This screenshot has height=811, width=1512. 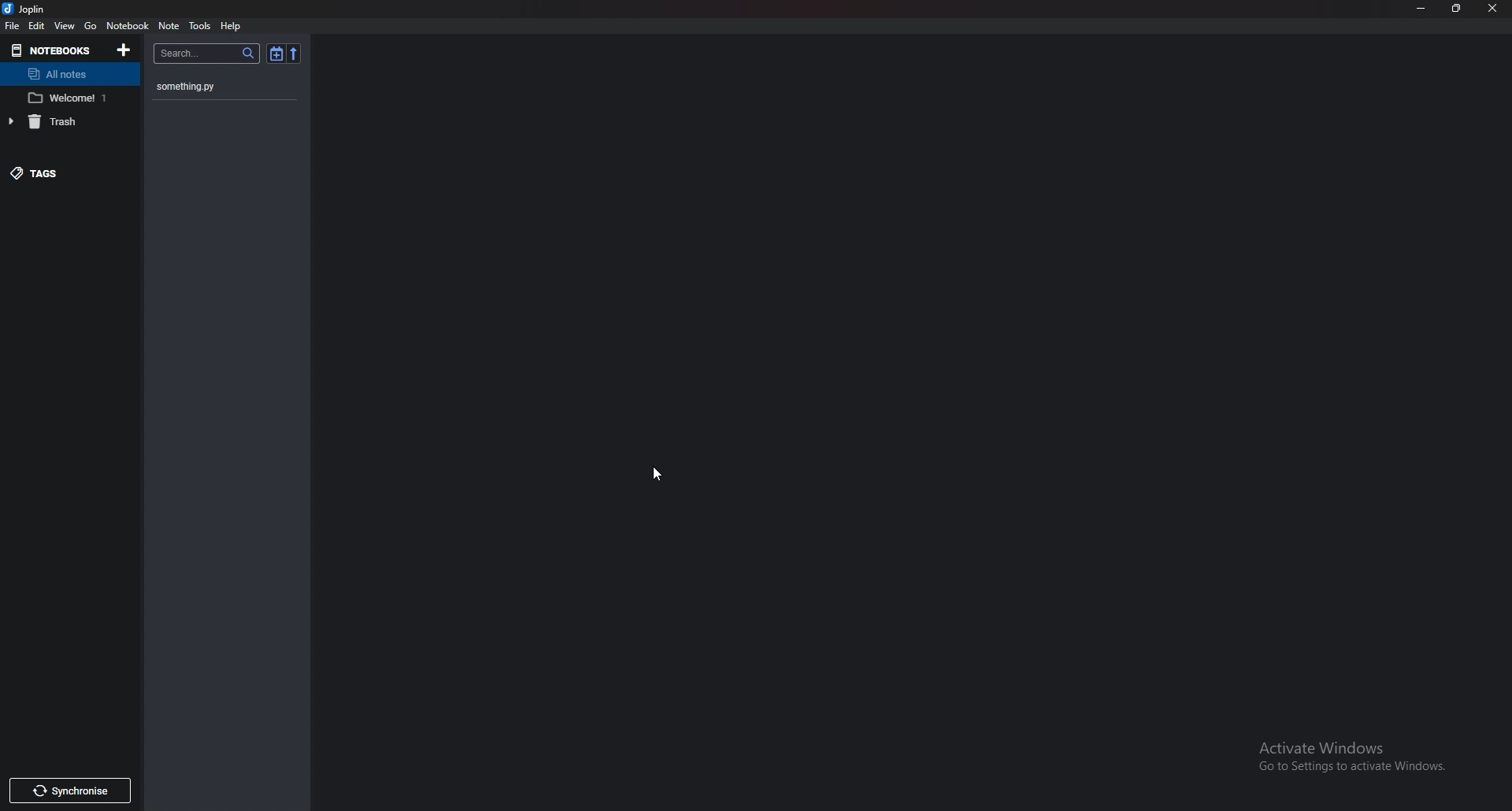 What do you see at coordinates (276, 54) in the screenshot?
I see `Toggle sort order` at bounding box center [276, 54].